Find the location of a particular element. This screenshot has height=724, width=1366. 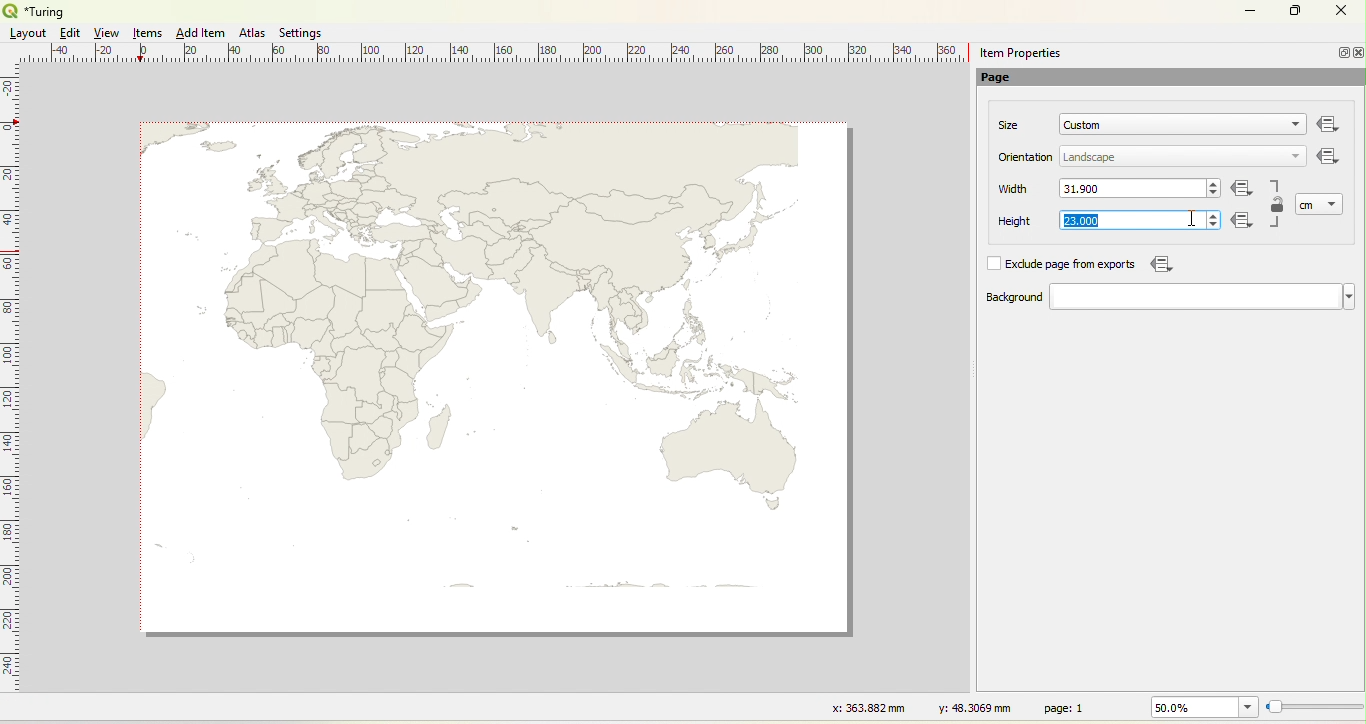

decrease is located at coordinates (1213, 194).